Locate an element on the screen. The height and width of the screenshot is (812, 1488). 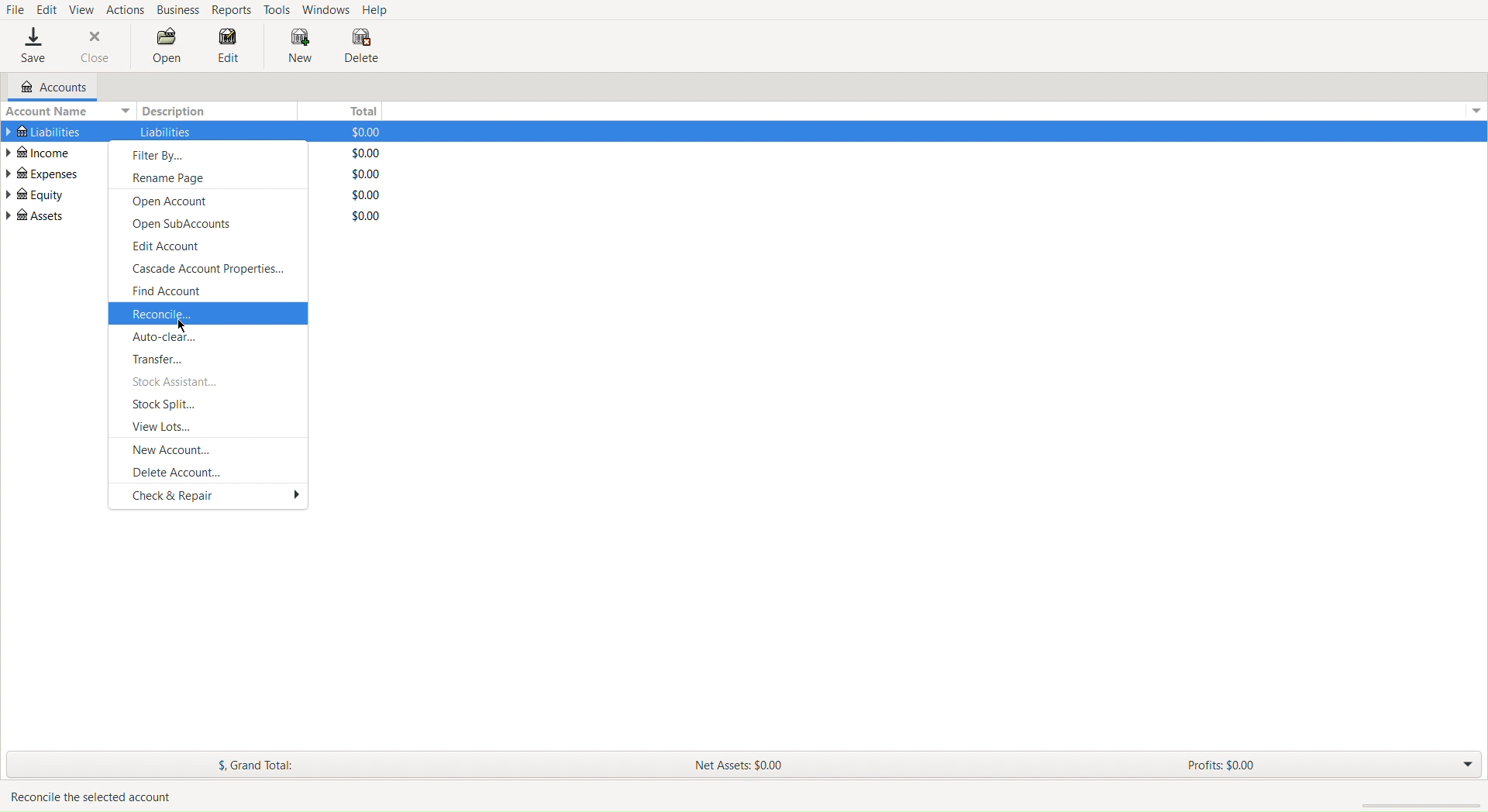
Edit Account is located at coordinates (208, 248).